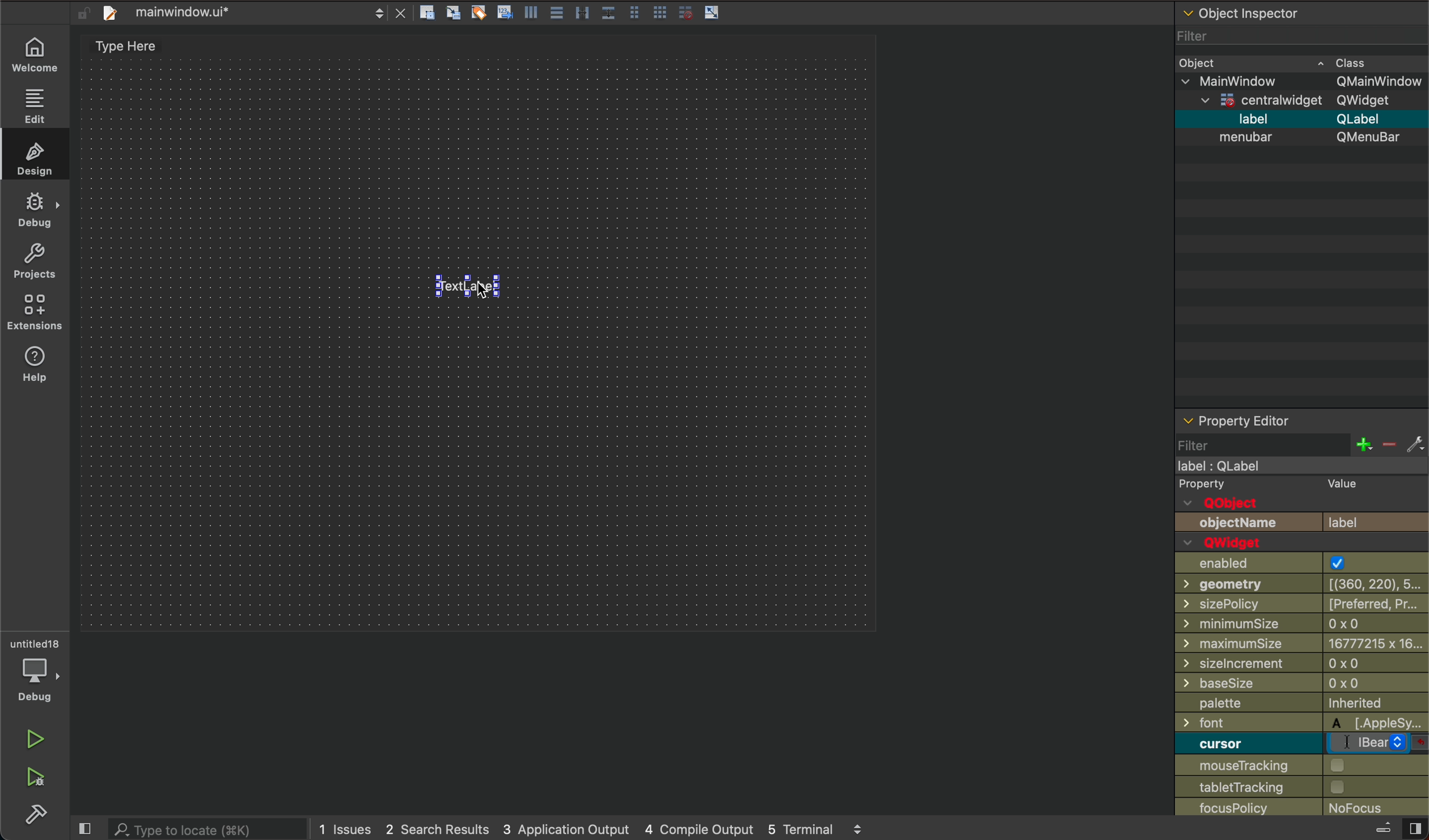 The image size is (1429, 840). I want to click on 1 issues, so click(343, 827).